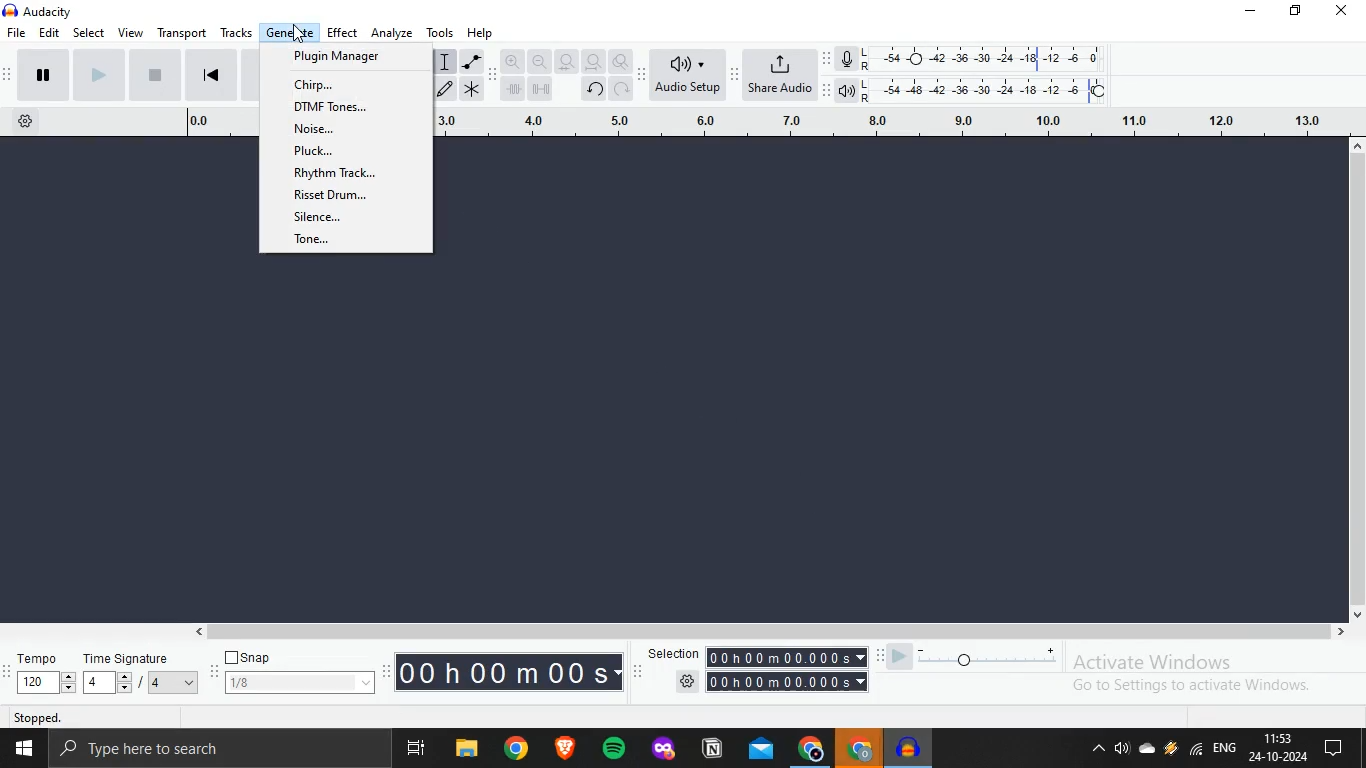  I want to click on Spotify, so click(618, 750).